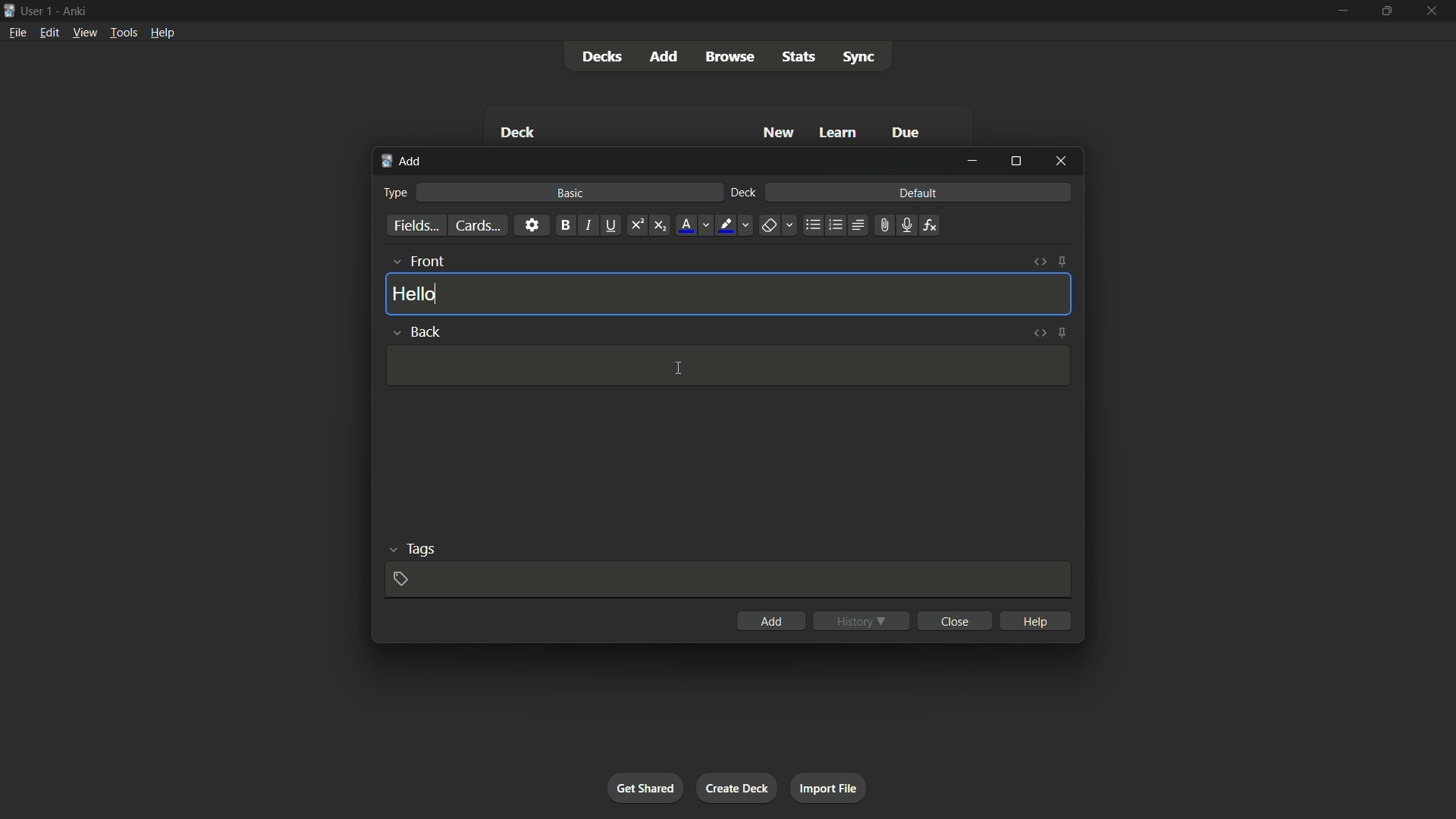  What do you see at coordinates (39, 11) in the screenshot?
I see `user 1` at bounding box center [39, 11].